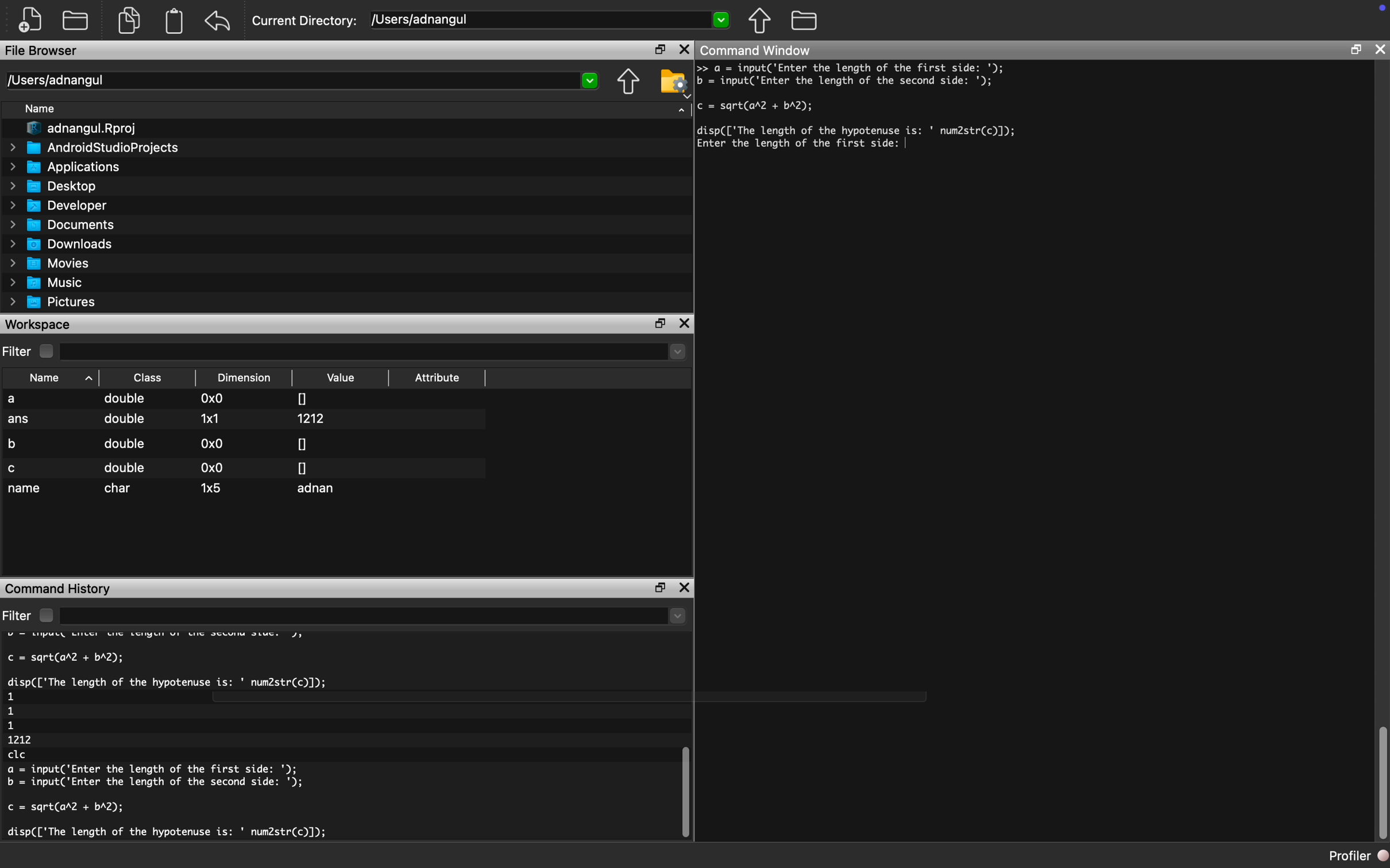 This screenshot has width=1390, height=868. What do you see at coordinates (89, 129) in the screenshot?
I see `I" adnangul.Rproj` at bounding box center [89, 129].